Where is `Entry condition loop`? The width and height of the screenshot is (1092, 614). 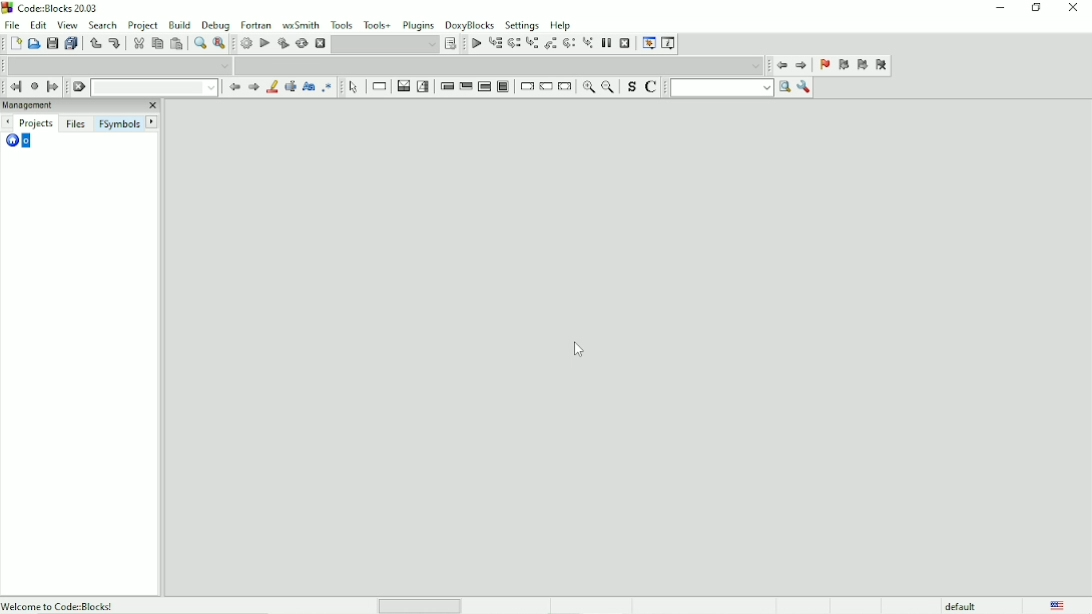 Entry condition loop is located at coordinates (446, 86).